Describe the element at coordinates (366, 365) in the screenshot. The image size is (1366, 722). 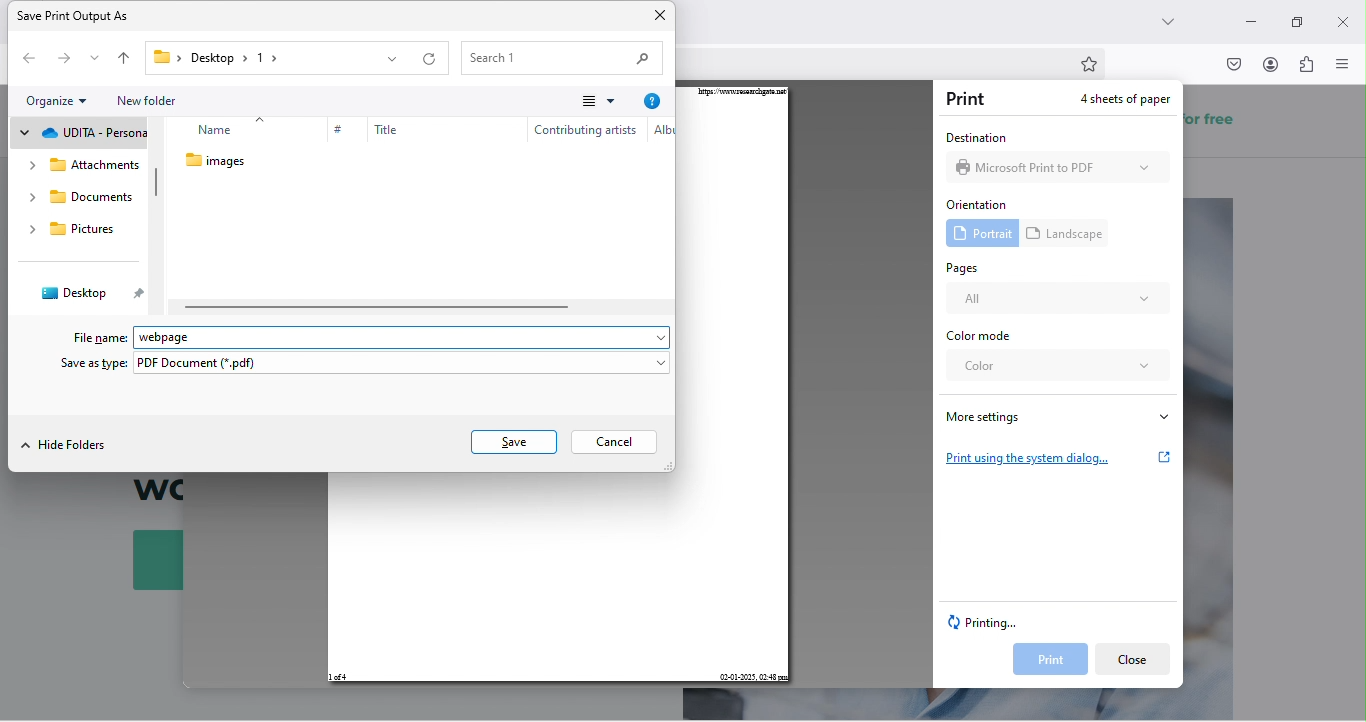
I see `save as type` at that location.